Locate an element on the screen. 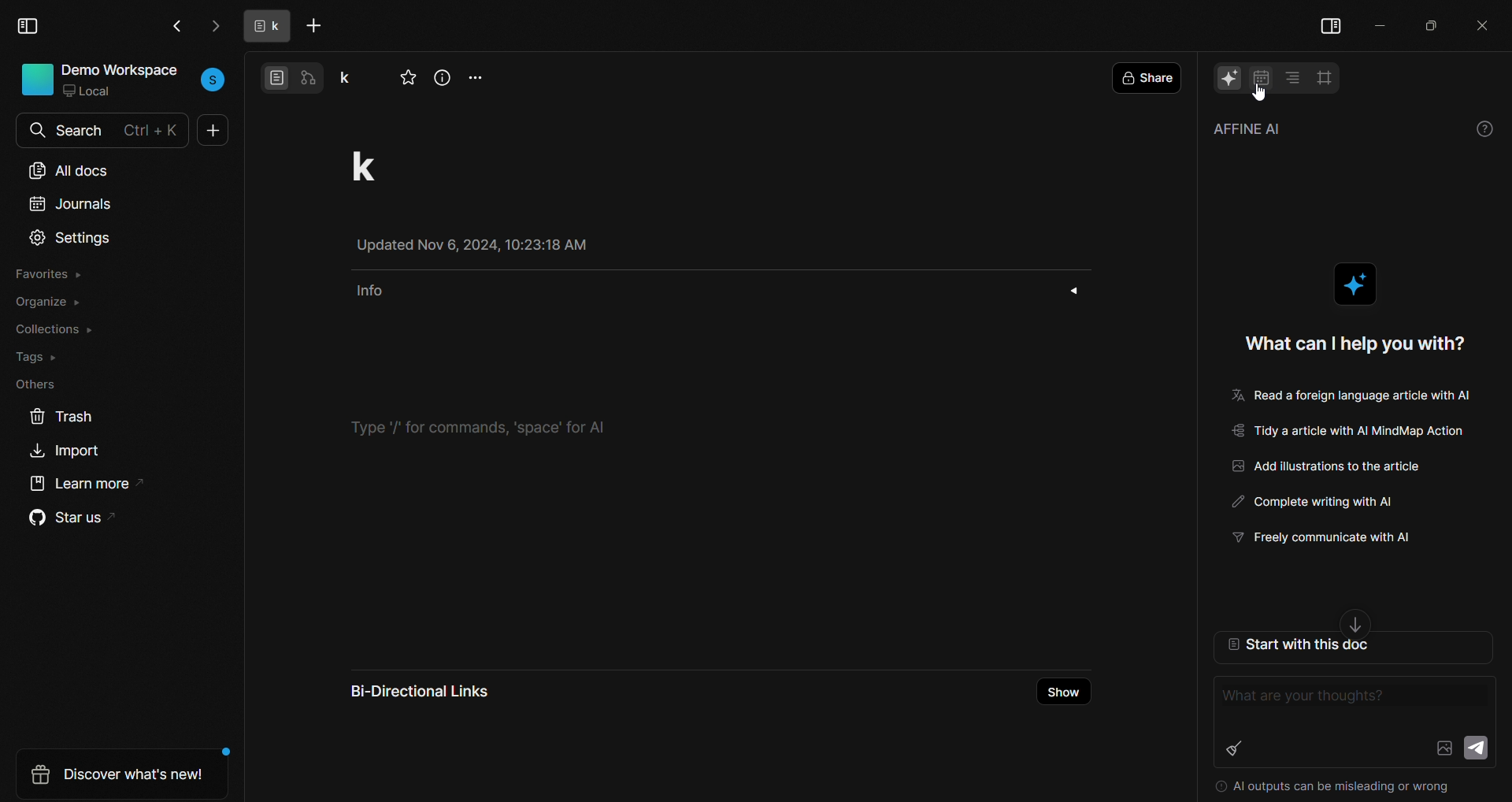  table of contents is located at coordinates (1295, 79).